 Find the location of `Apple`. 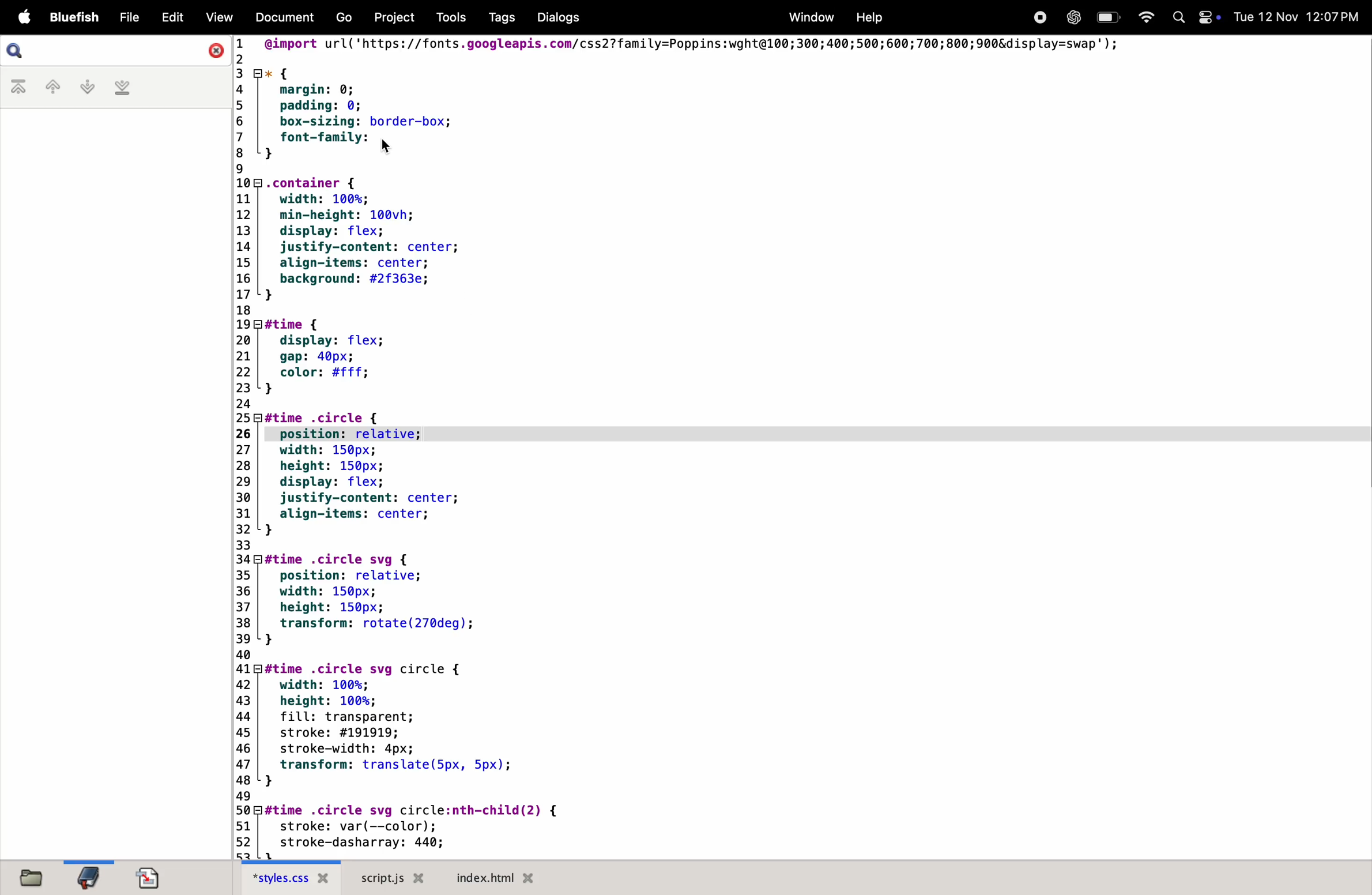

Apple is located at coordinates (24, 17).